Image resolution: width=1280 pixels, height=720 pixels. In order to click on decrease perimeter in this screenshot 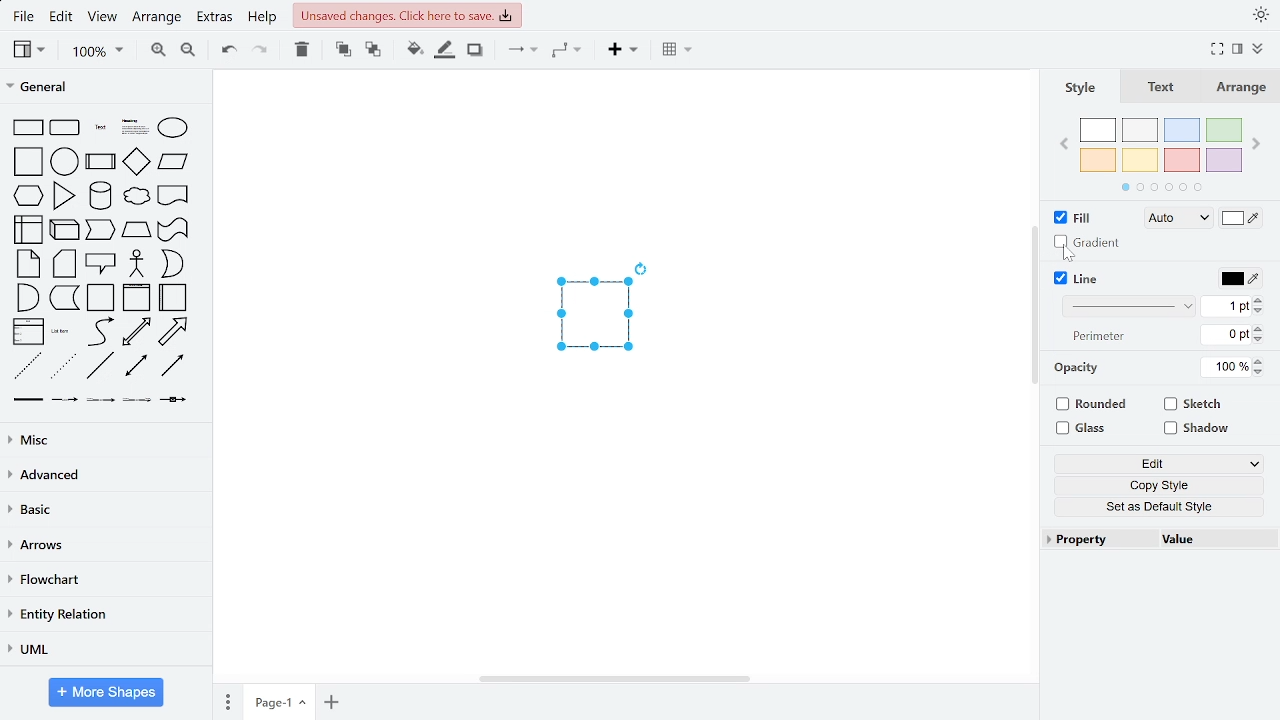, I will do `click(1261, 312)`.